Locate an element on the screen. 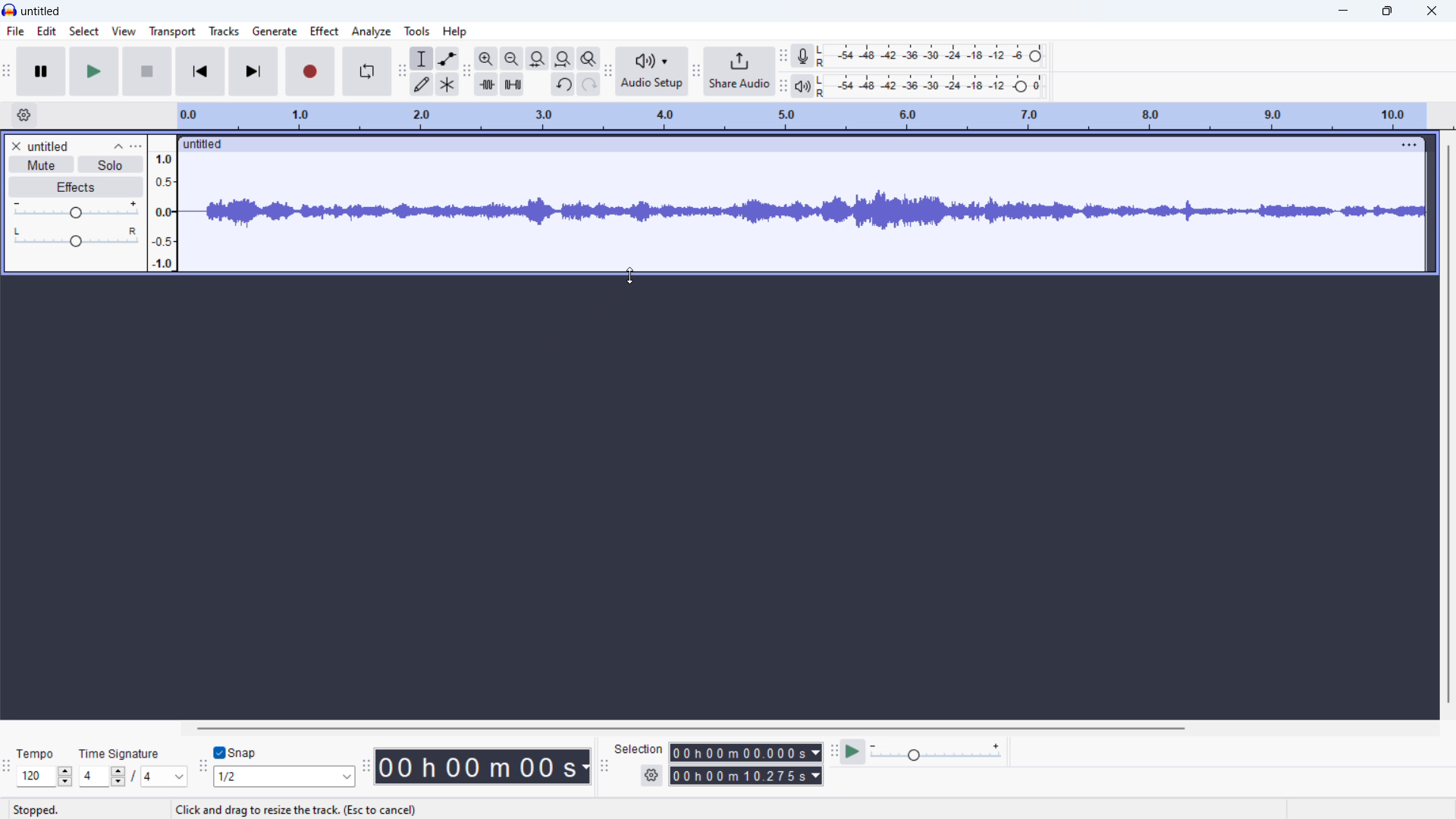 The image size is (1456, 819). stop is located at coordinates (148, 71).